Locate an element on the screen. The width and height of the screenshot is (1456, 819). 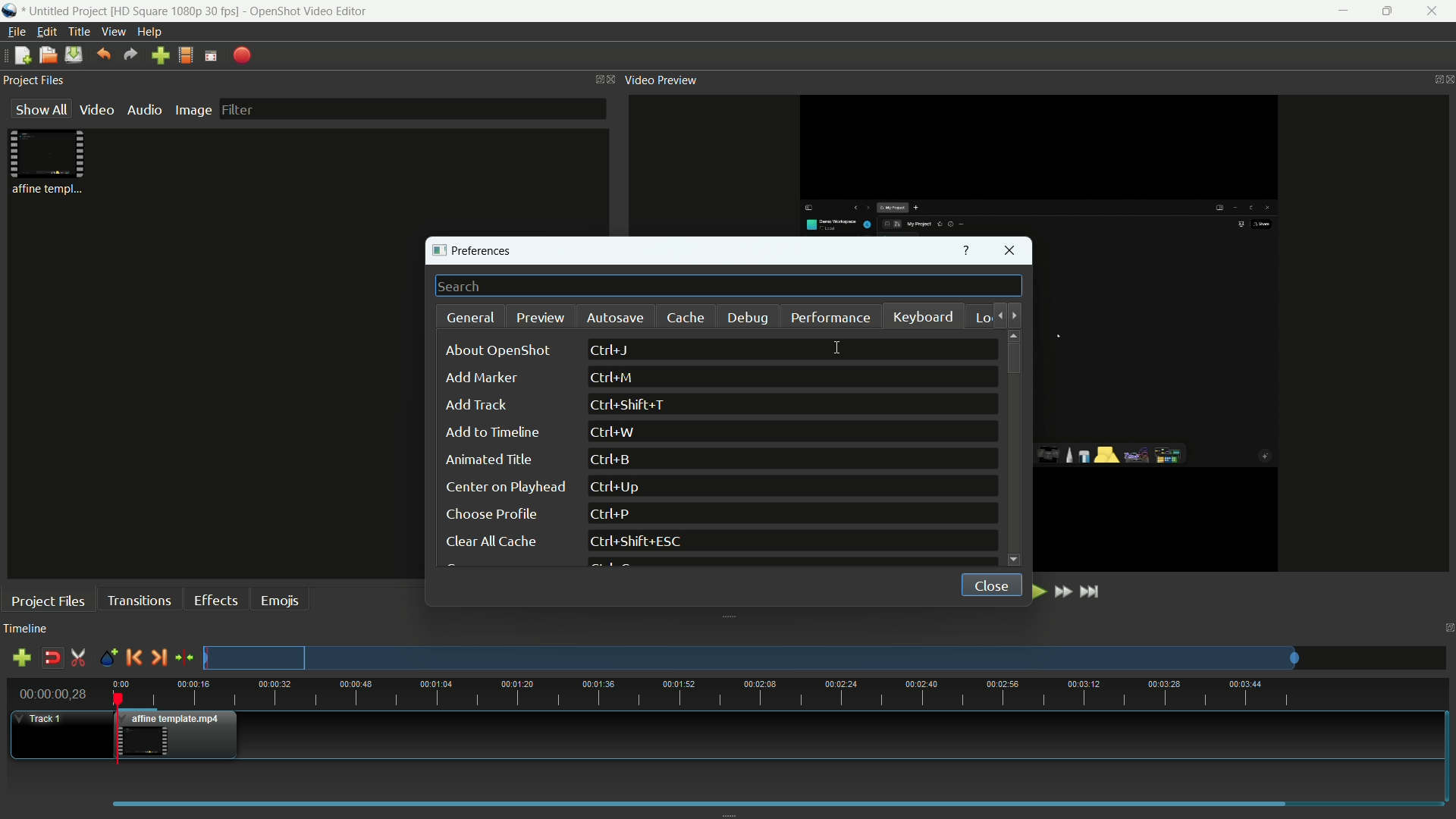
profile is located at coordinates (177, 11).